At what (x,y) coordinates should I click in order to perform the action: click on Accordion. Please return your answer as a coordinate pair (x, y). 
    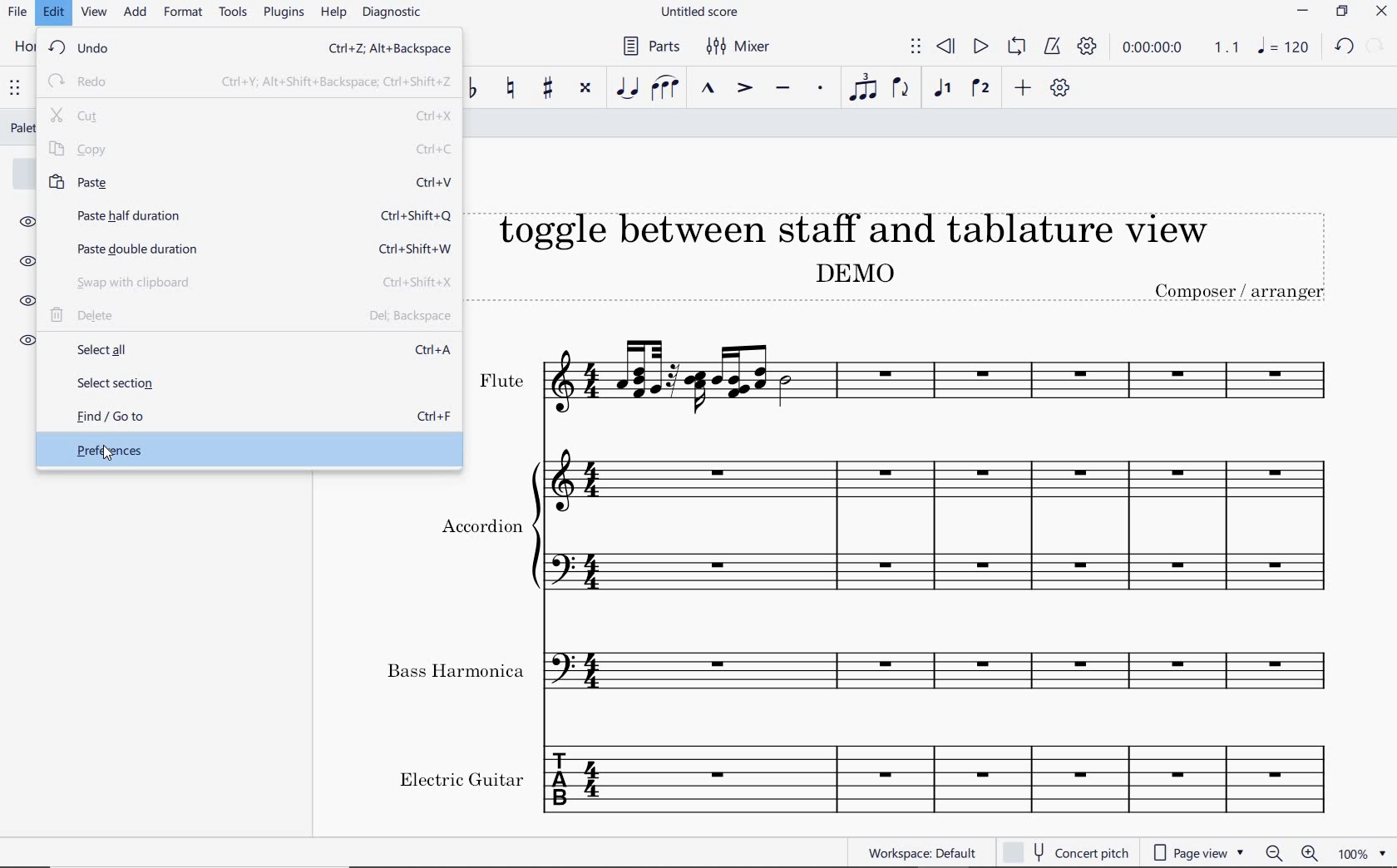
    Looking at the image, I should click on (479, 528).